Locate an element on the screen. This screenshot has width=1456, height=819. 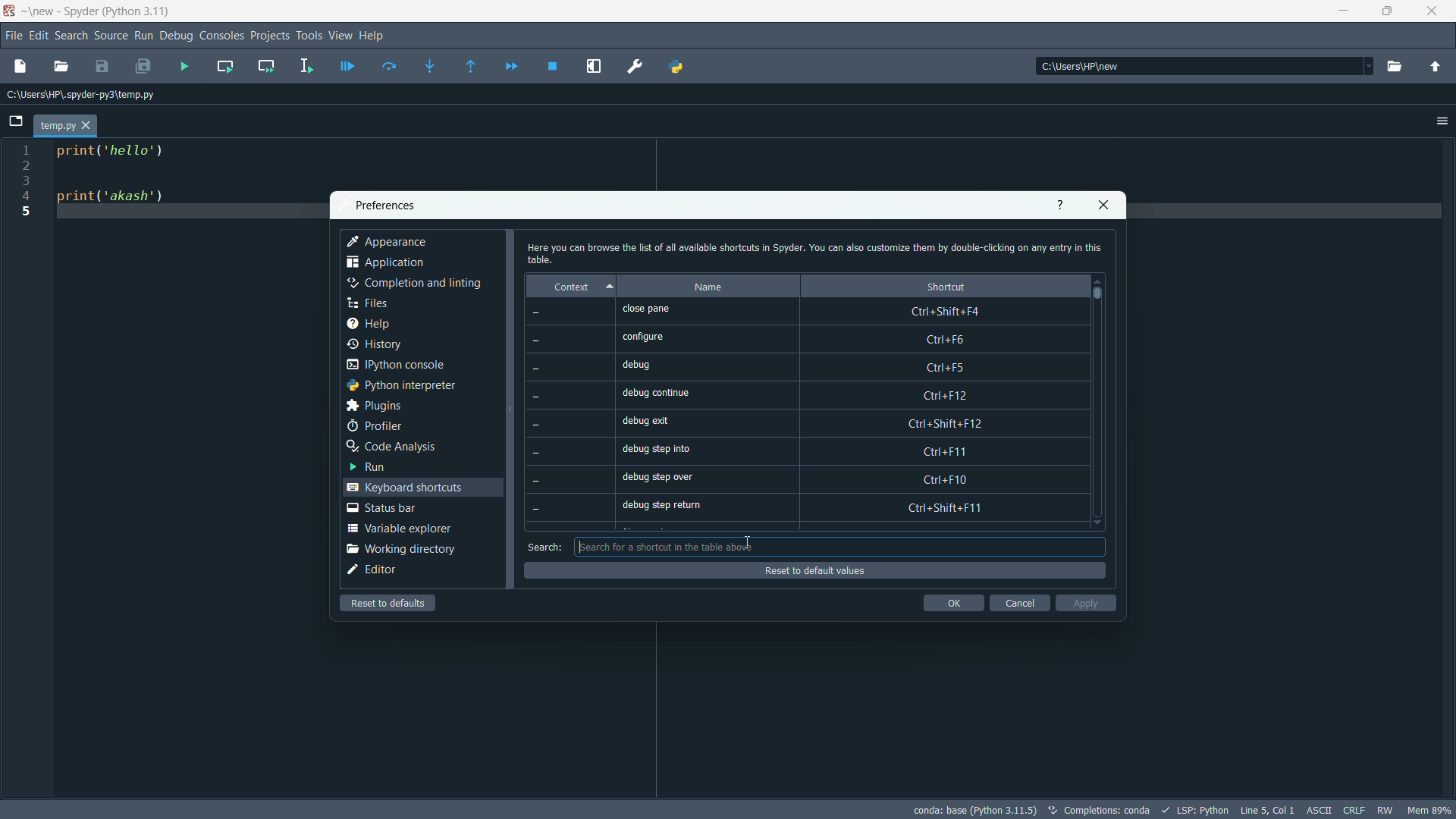
-, debug, ctrl+f5 is located at coordinates (797, 367).